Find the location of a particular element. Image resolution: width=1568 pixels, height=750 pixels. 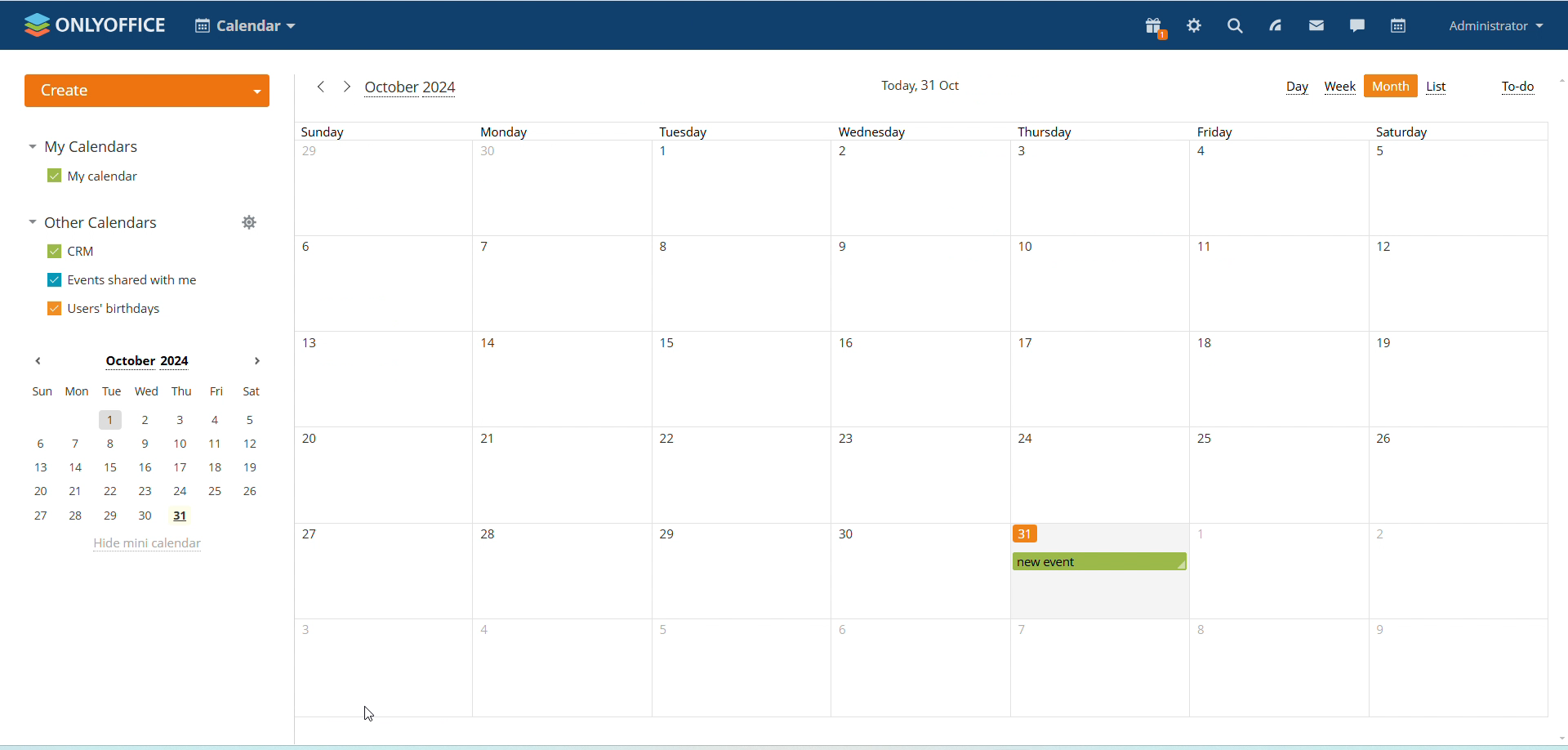

manage is located at coordinates (248, 225).